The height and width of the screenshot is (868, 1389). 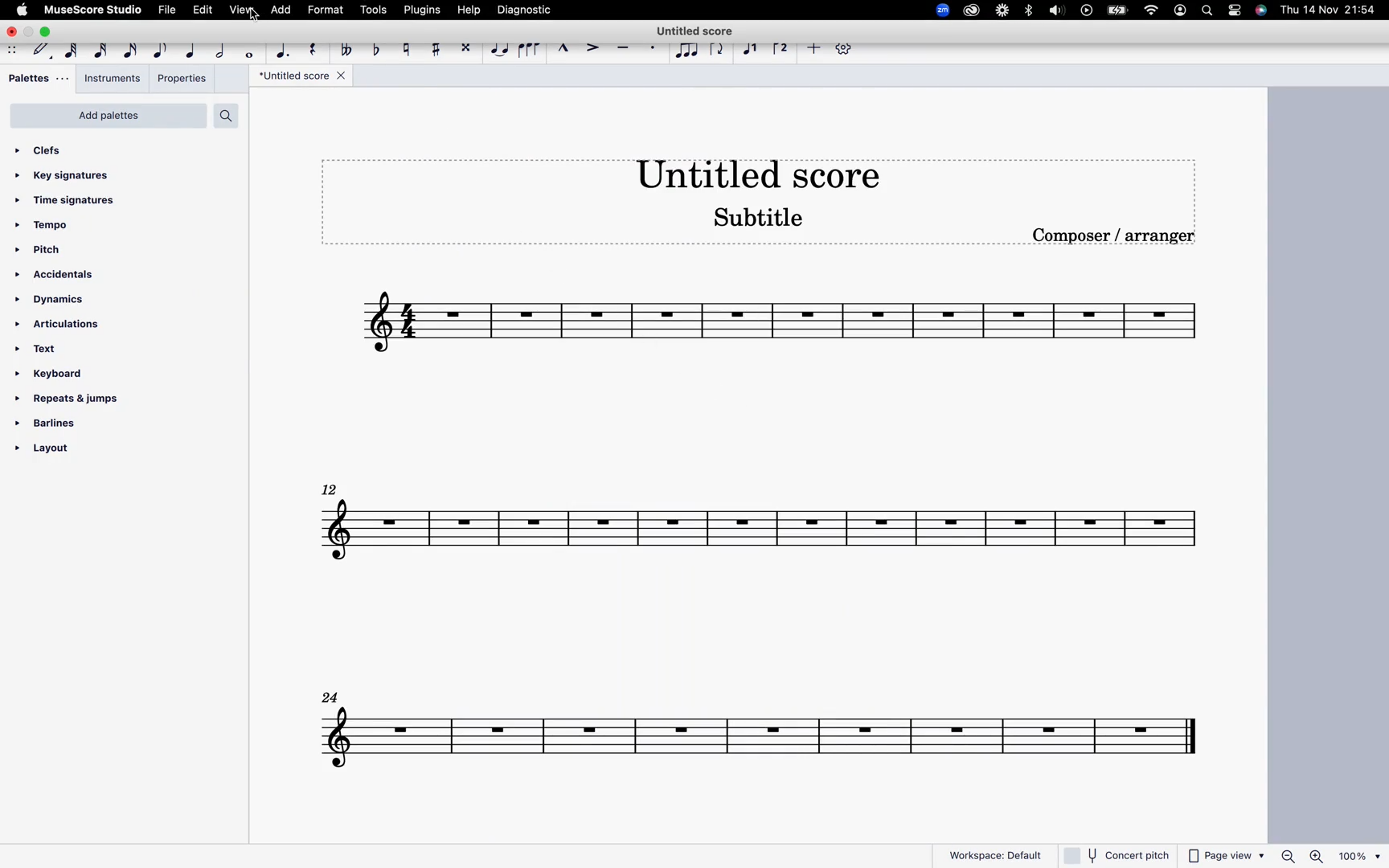 What do you see at coordinates (561, 47) in the screenshot?
I see `marcato` at bounding box center [561, 47].